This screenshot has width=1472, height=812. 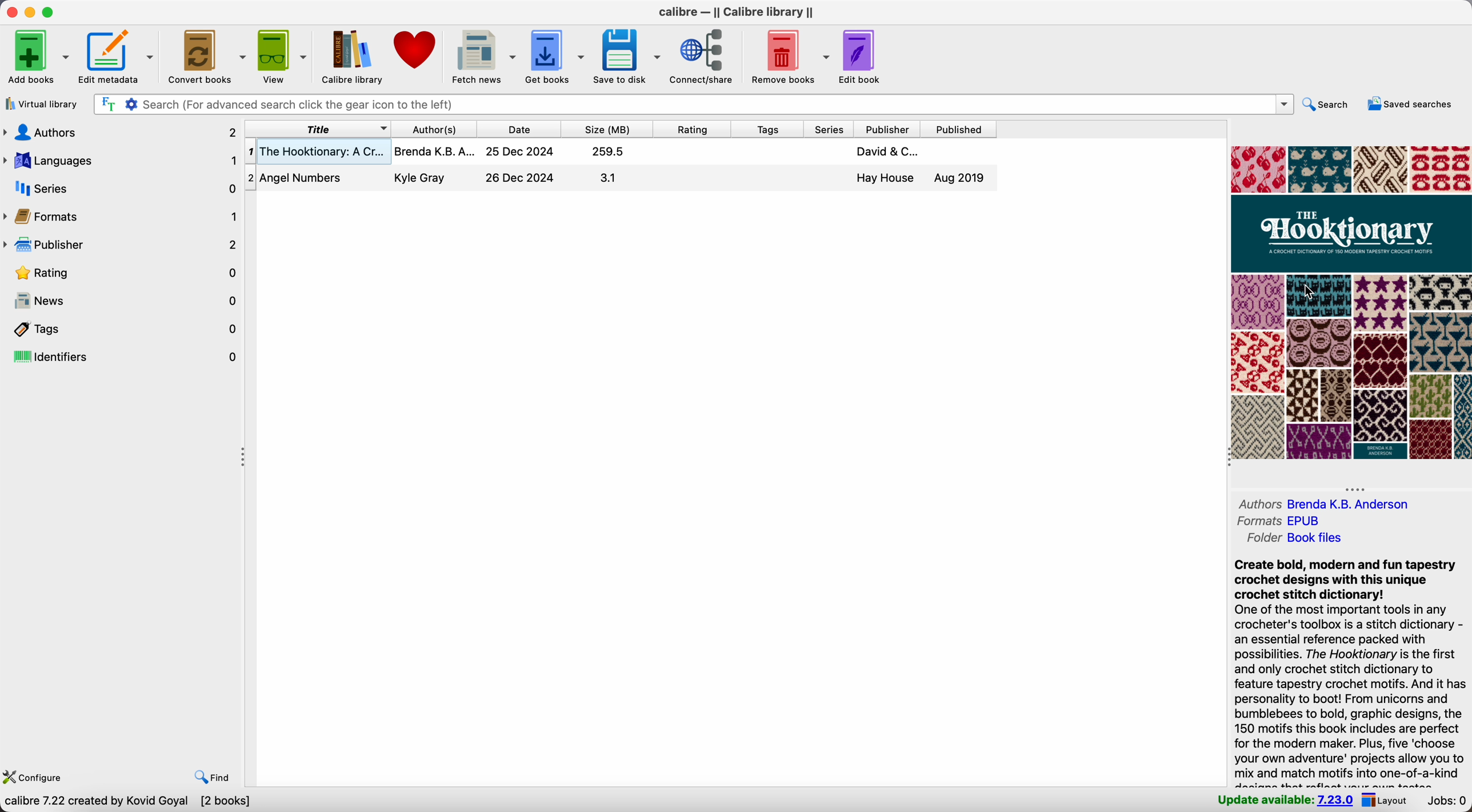 What do you see at coordinates (957, 130) in the screenshot?
I see `published` at bounding box center [957, 130].